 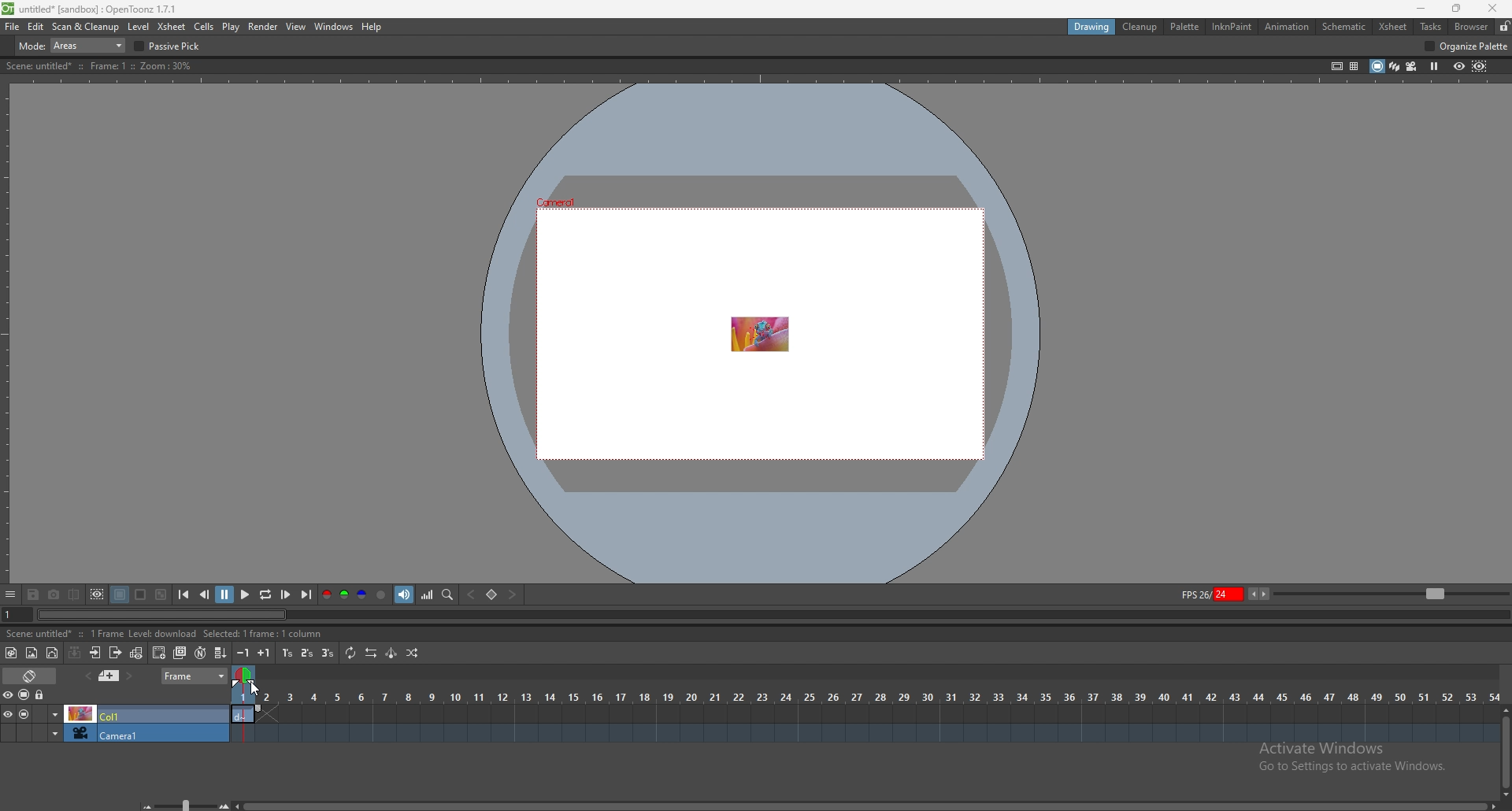 What do you see at coordinates (1473, 26) in the screenshot?
I see `browser` at bounding box center [1473, 26].